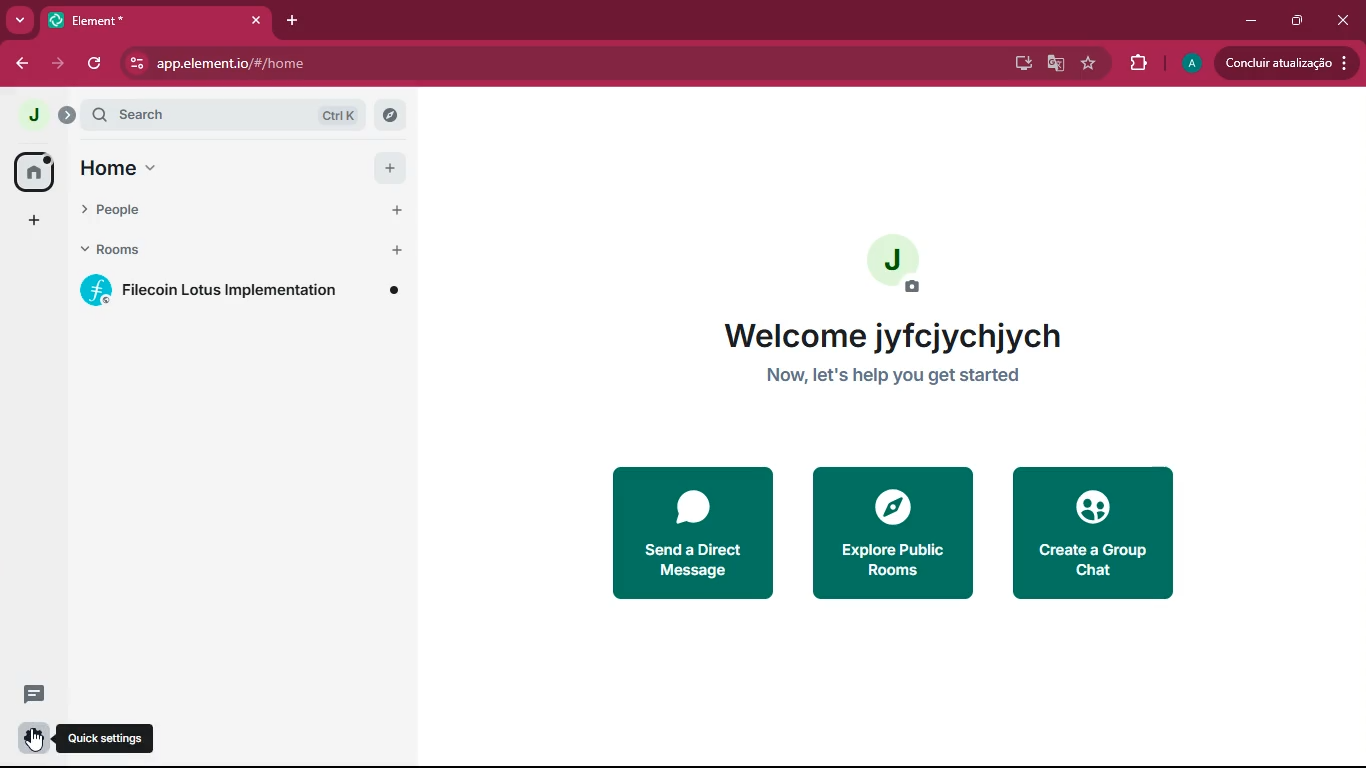 The height and width of the screenshot is (768, 1366). Describe the element at coordinates (1054, 64) in the screenshot. I see `google translate` at that location.